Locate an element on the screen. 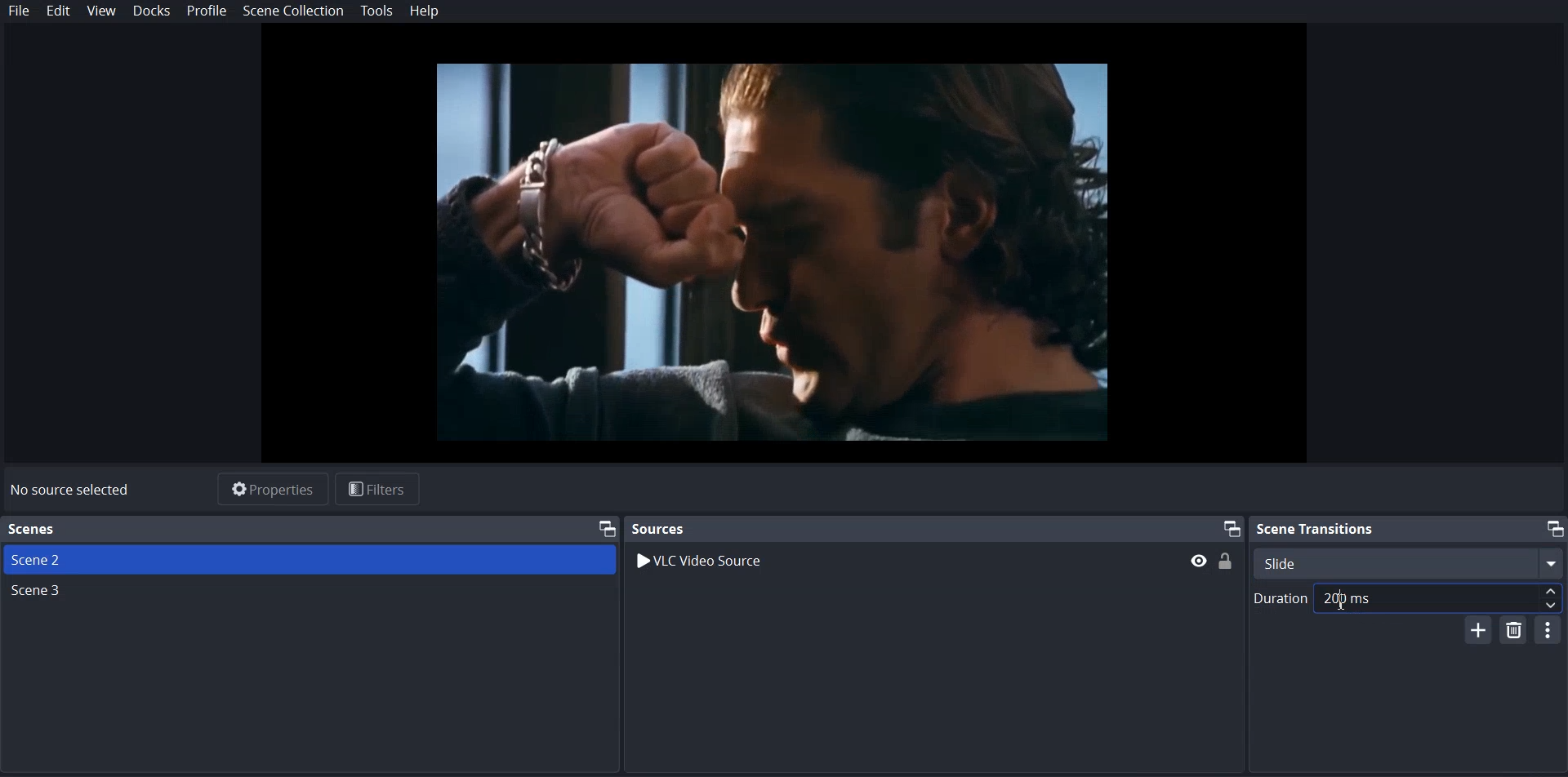 This screenshot has width=1568, height=777. Remove Configurable Transition is located at coordinates (1516, 628).